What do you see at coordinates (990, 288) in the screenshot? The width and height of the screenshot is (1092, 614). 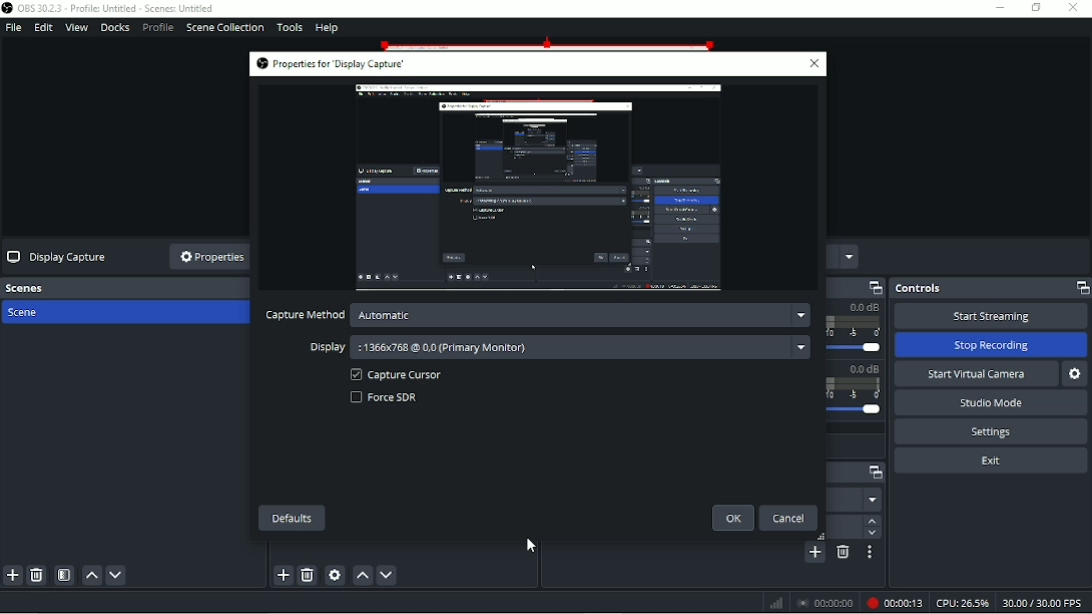 I see `Controls` at bounding box center [990, 288].